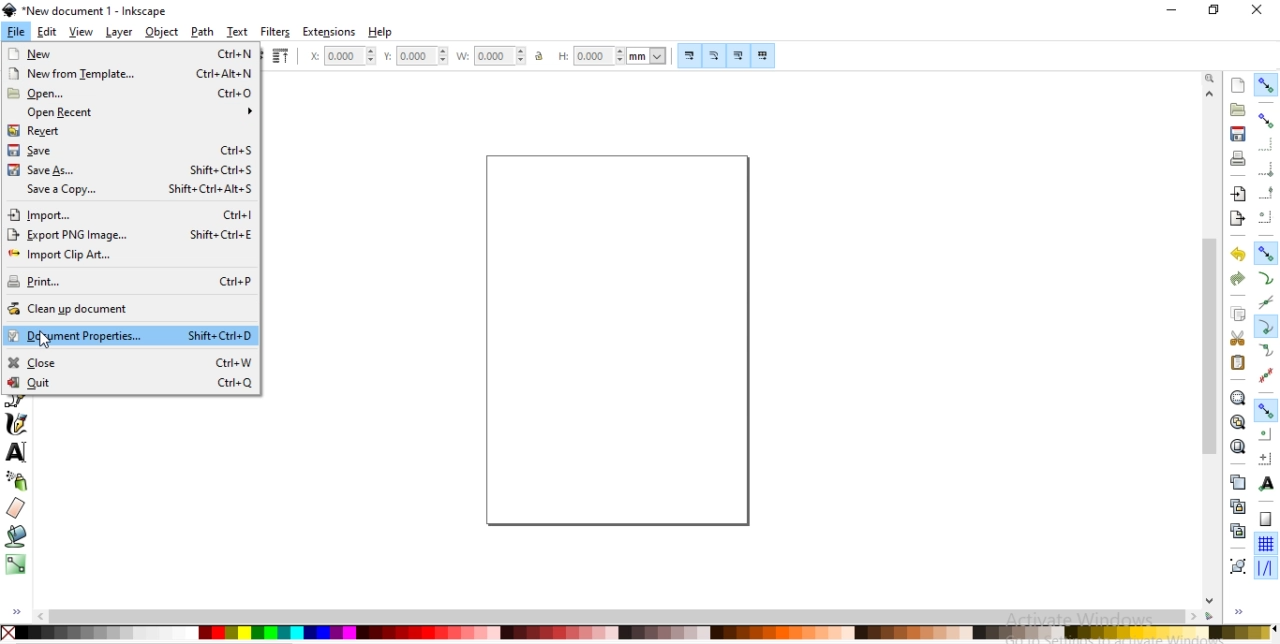 The width and height of the screenshot is (1280, 644). I want to click on document properties, so click(128, 336).